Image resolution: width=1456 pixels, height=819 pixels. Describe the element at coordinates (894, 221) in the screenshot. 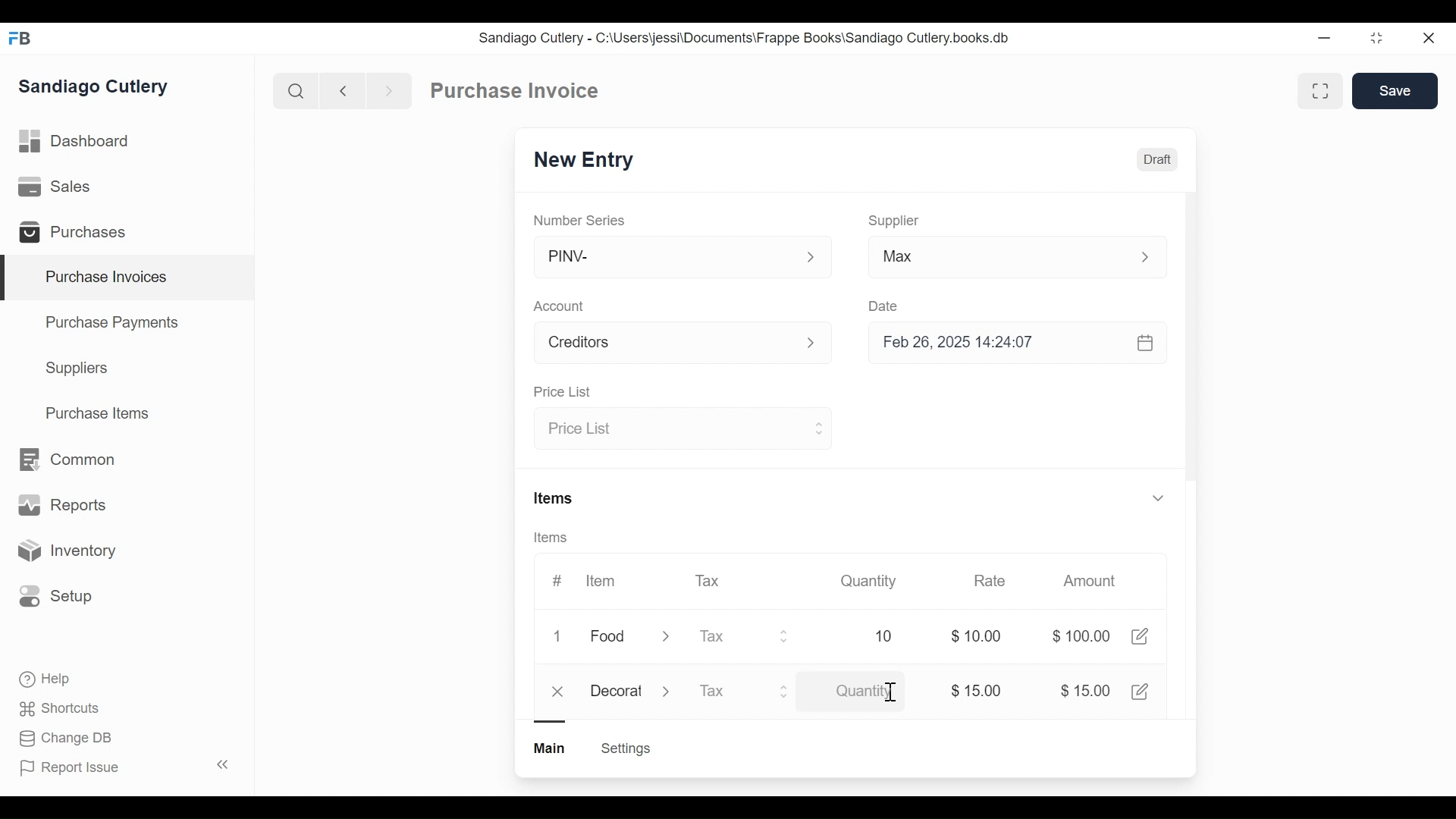

I see `Supplier` at that location.